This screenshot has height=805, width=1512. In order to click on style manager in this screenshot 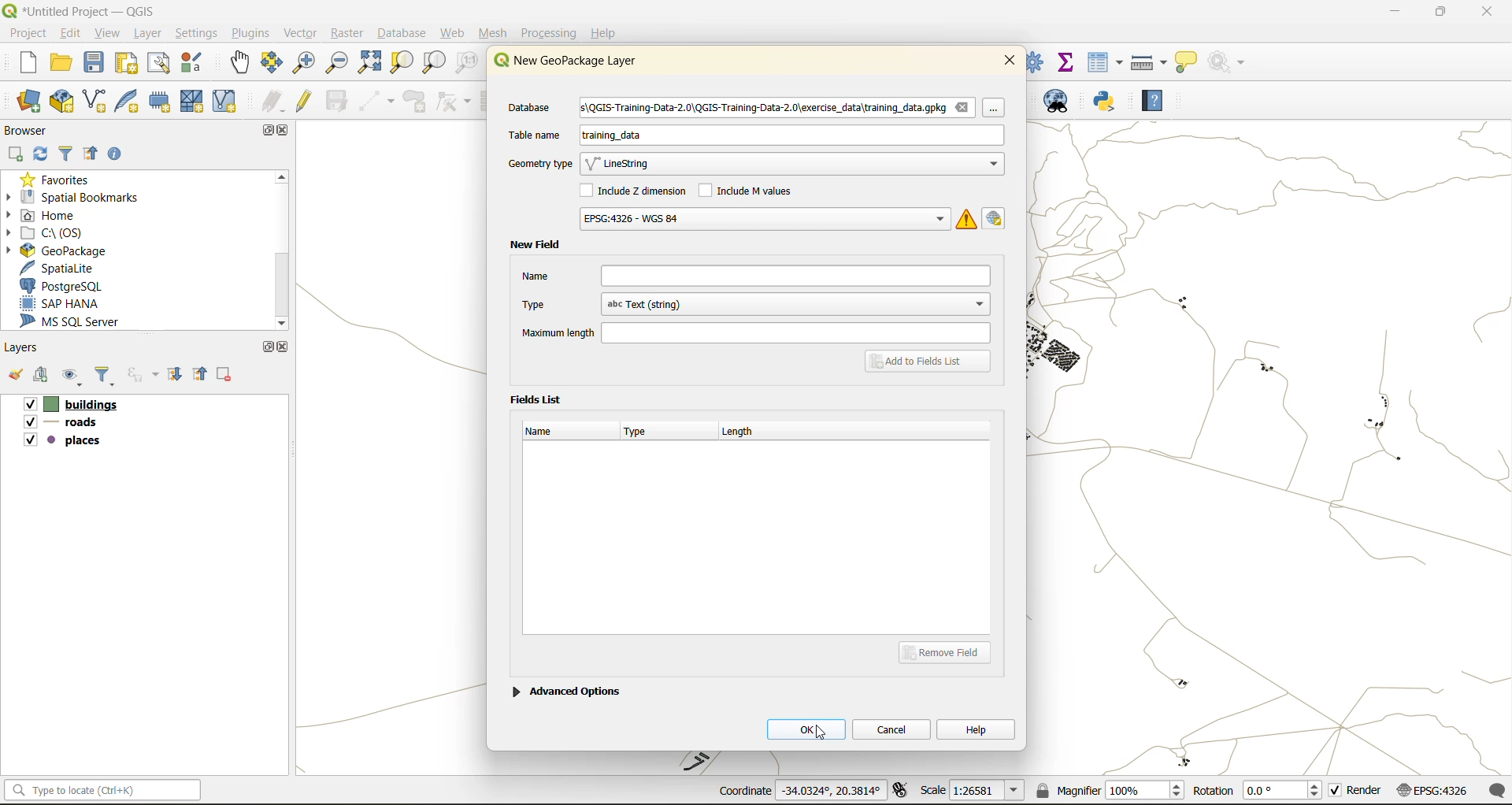, I will do `click(194, 63)`.